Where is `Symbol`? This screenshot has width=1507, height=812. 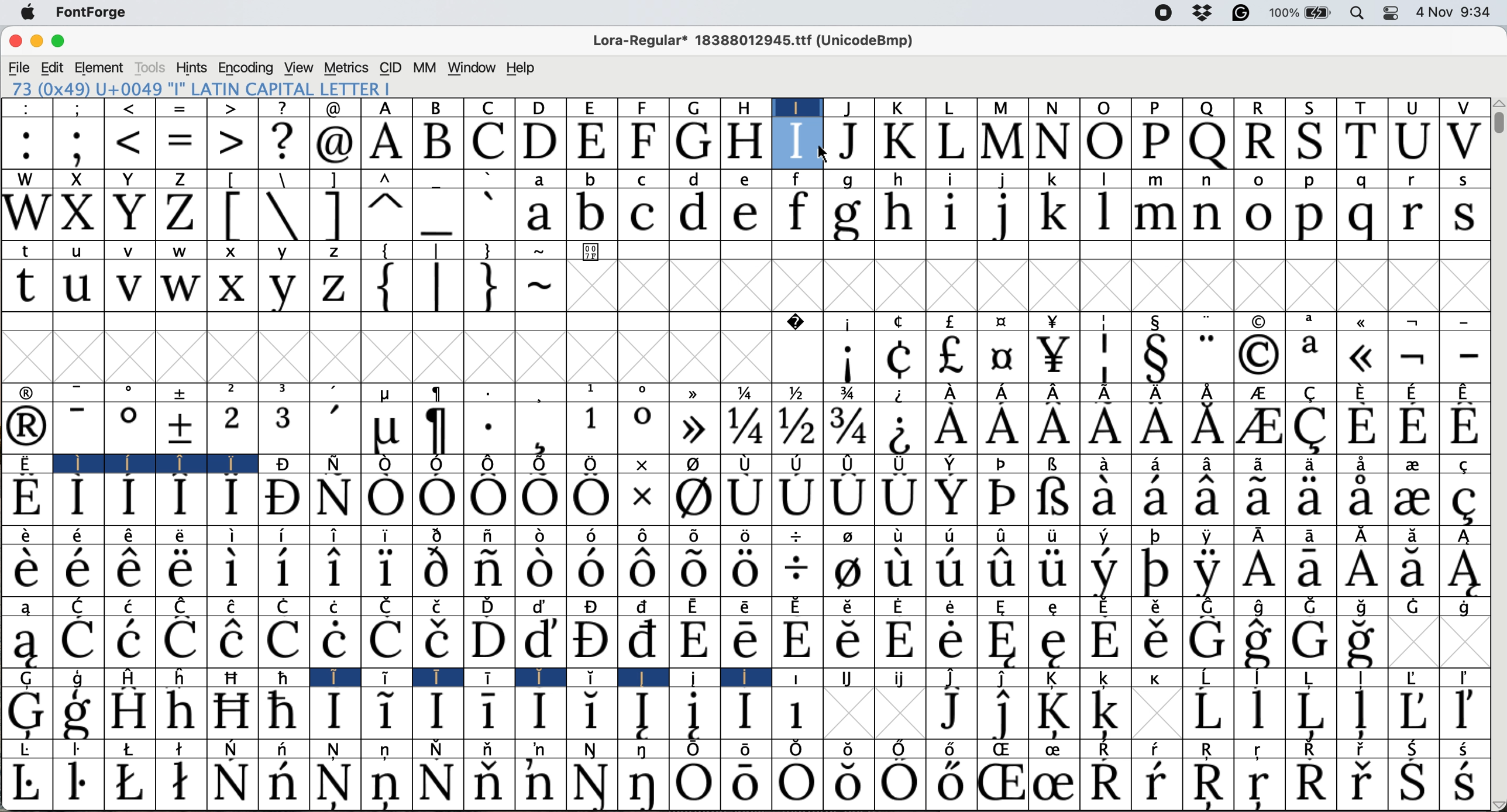
Symbol is located at coordinates (78, 498).